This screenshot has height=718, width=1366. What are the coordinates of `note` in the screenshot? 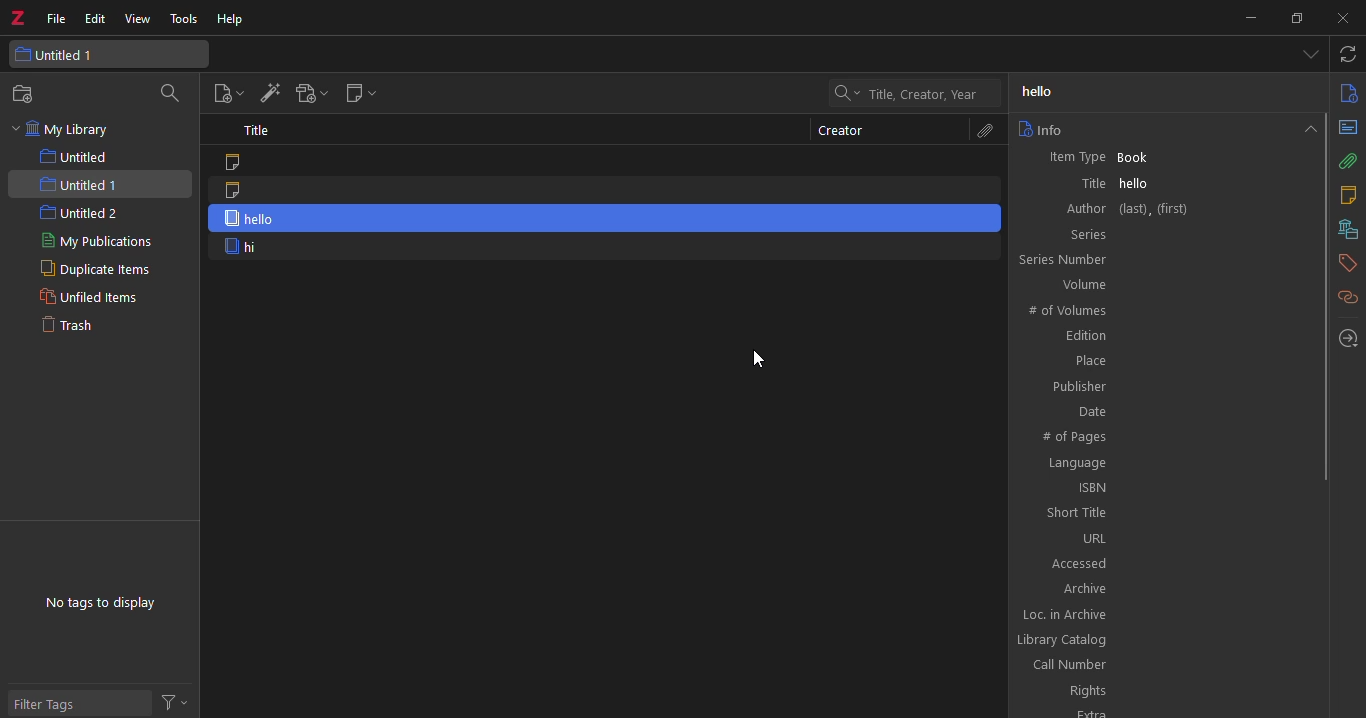 It's located at (602, 191).